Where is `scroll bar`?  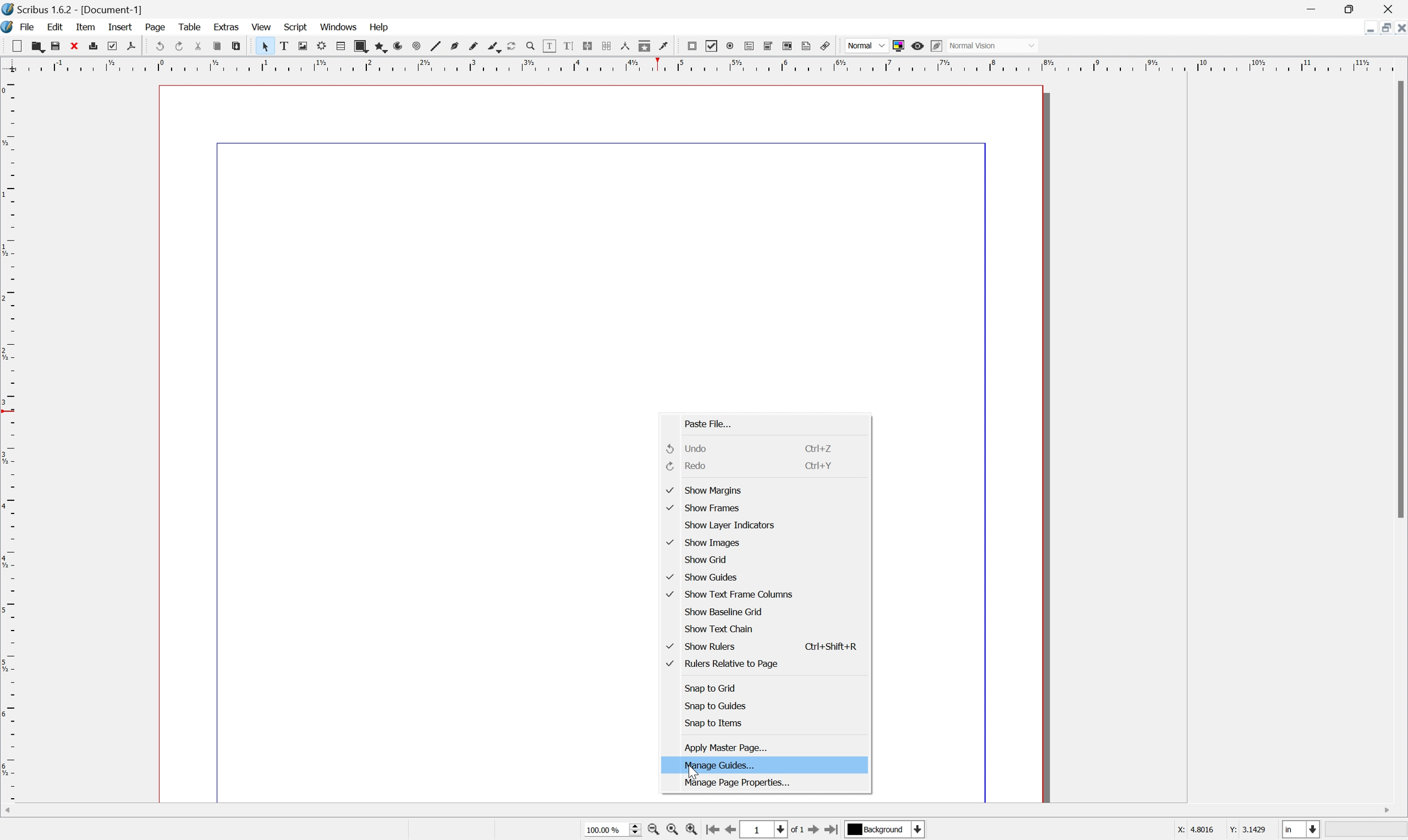
scroll bar is located at coordinates (1399, 299).